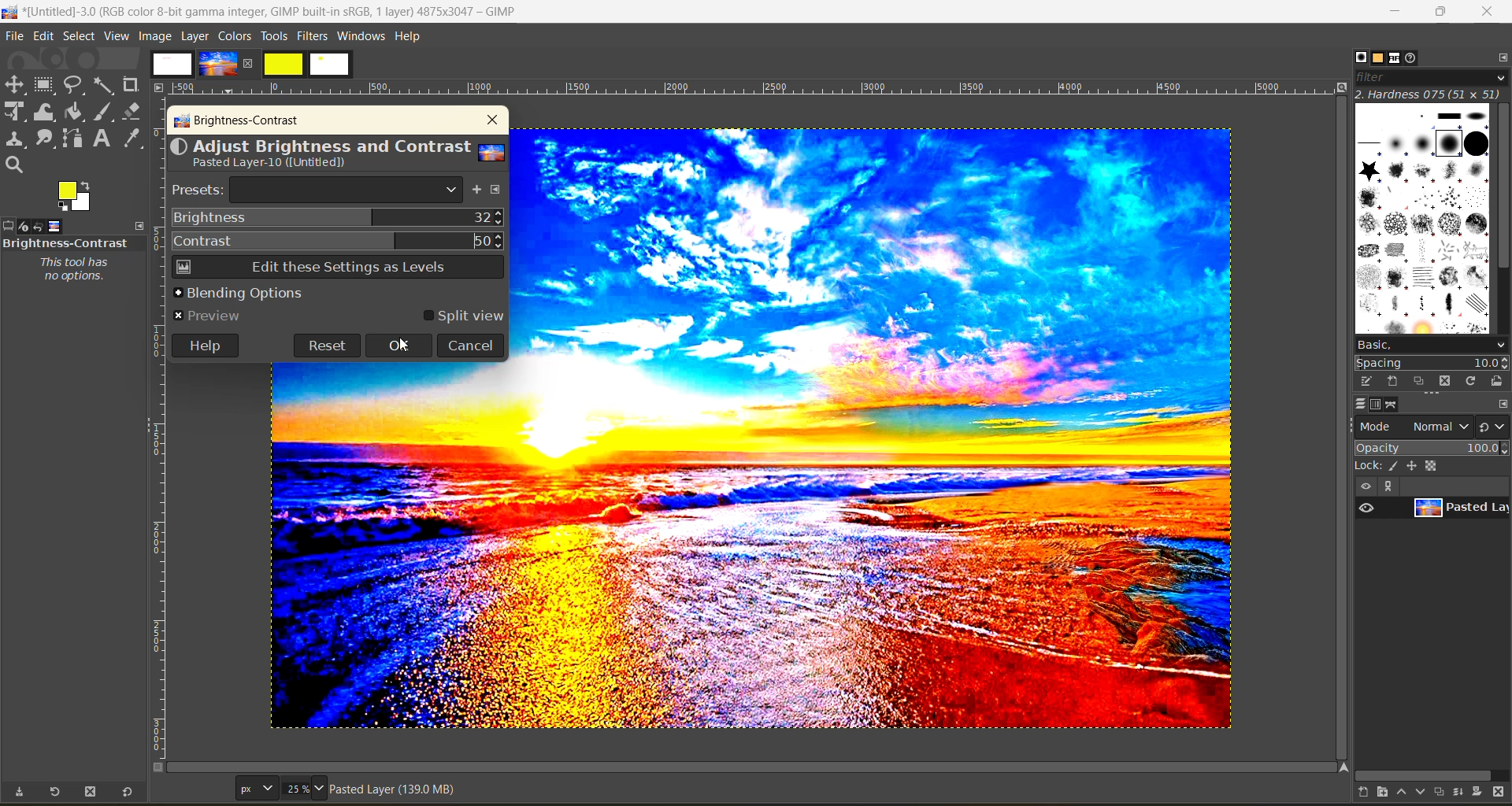 Image resolution: width=1512 pixels, height=806 pixels. Describe the element at coordinates (1369, 794) in the screenshot. I see `create a new layer` at that location.